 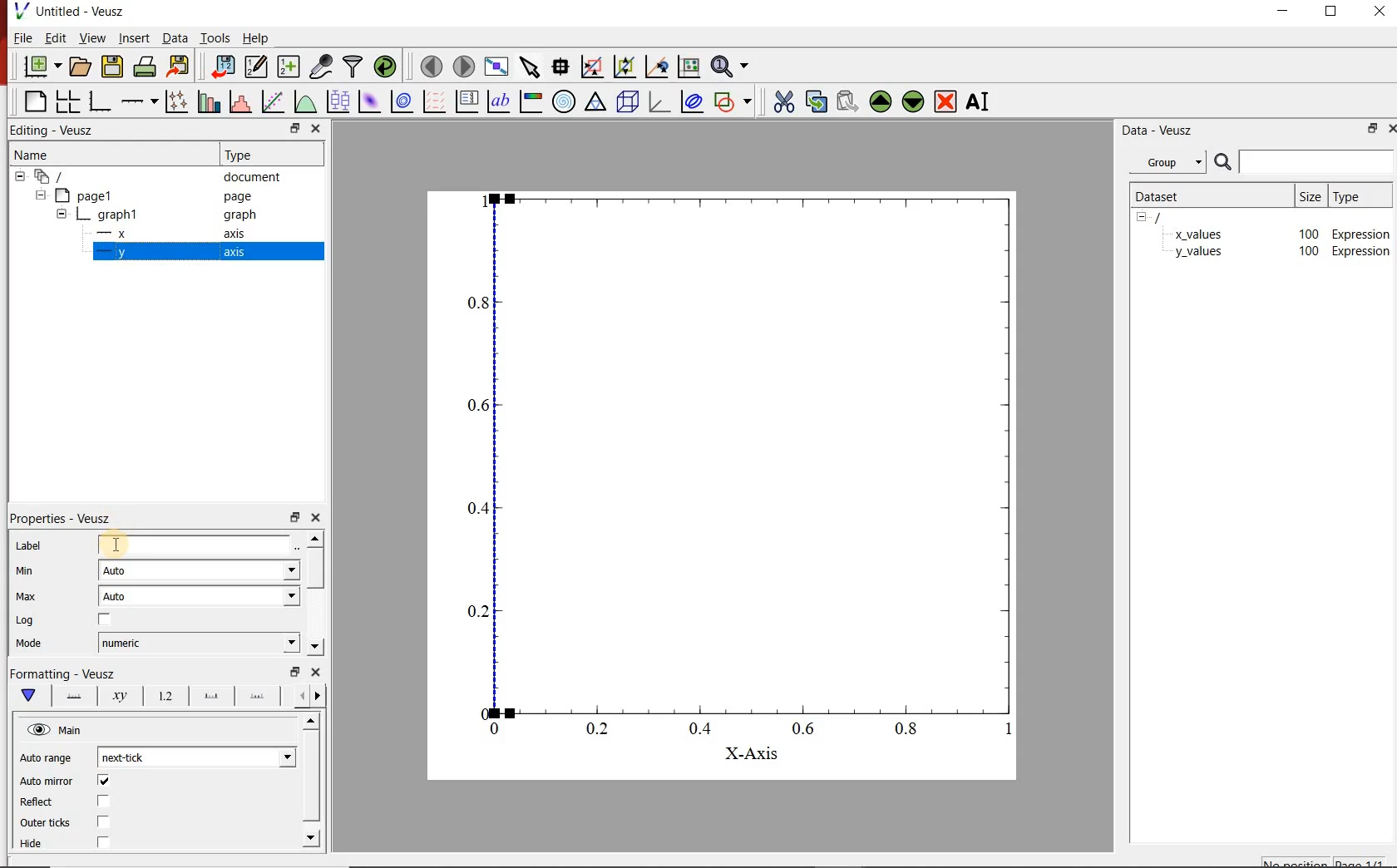 I want to click on Untitled - Veusz, so click(x=81, y=11).